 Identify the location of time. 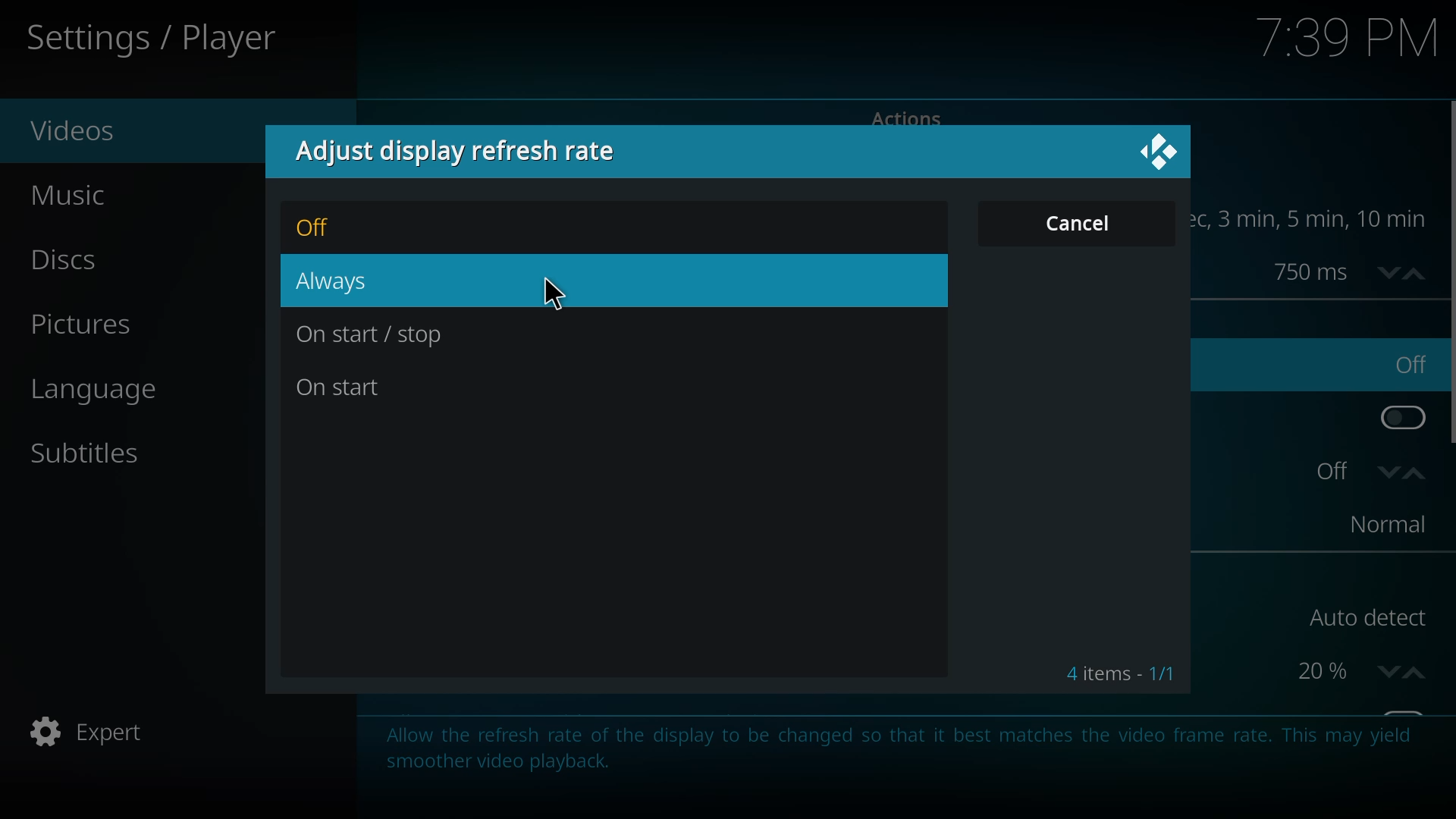
(1319, 218).